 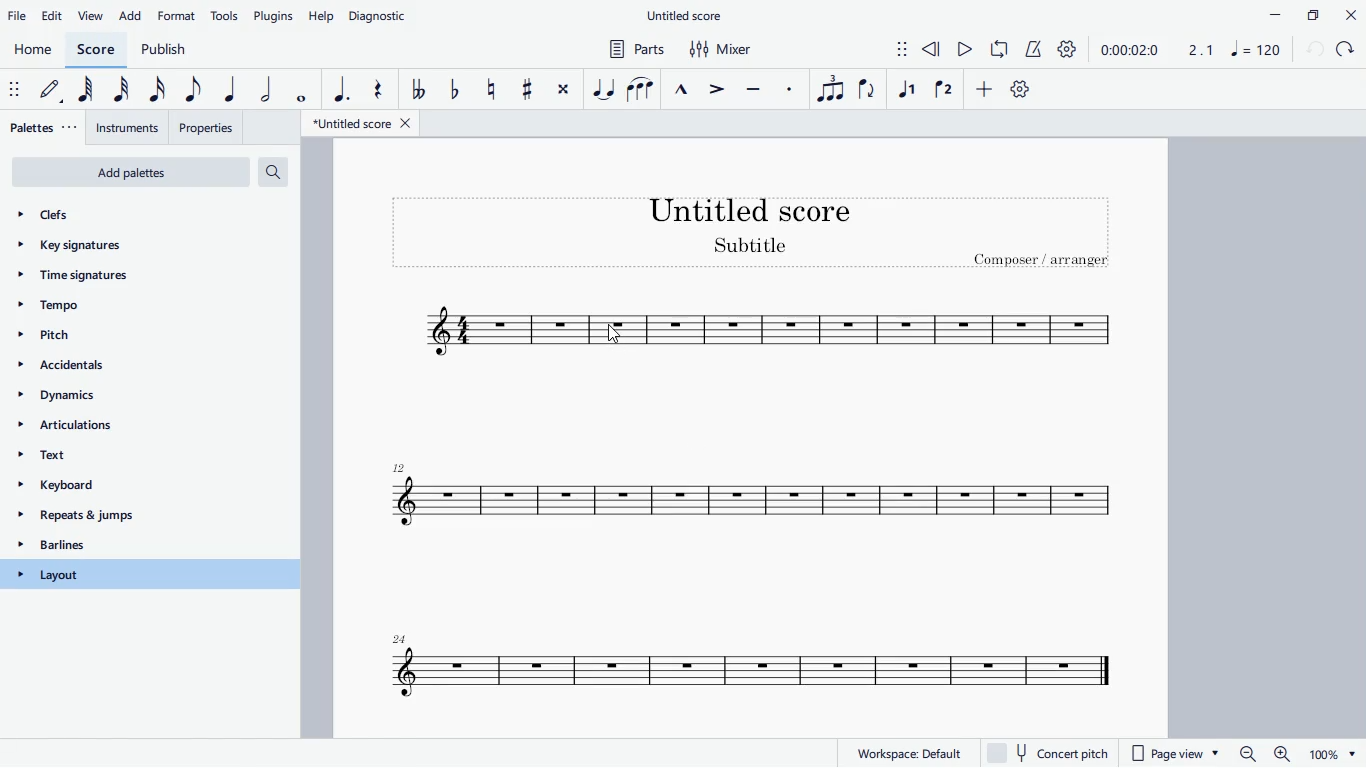 What do you see at coordinates (208, 126) in the screenshot?
I see `properties` at bounding box center [208, 126].